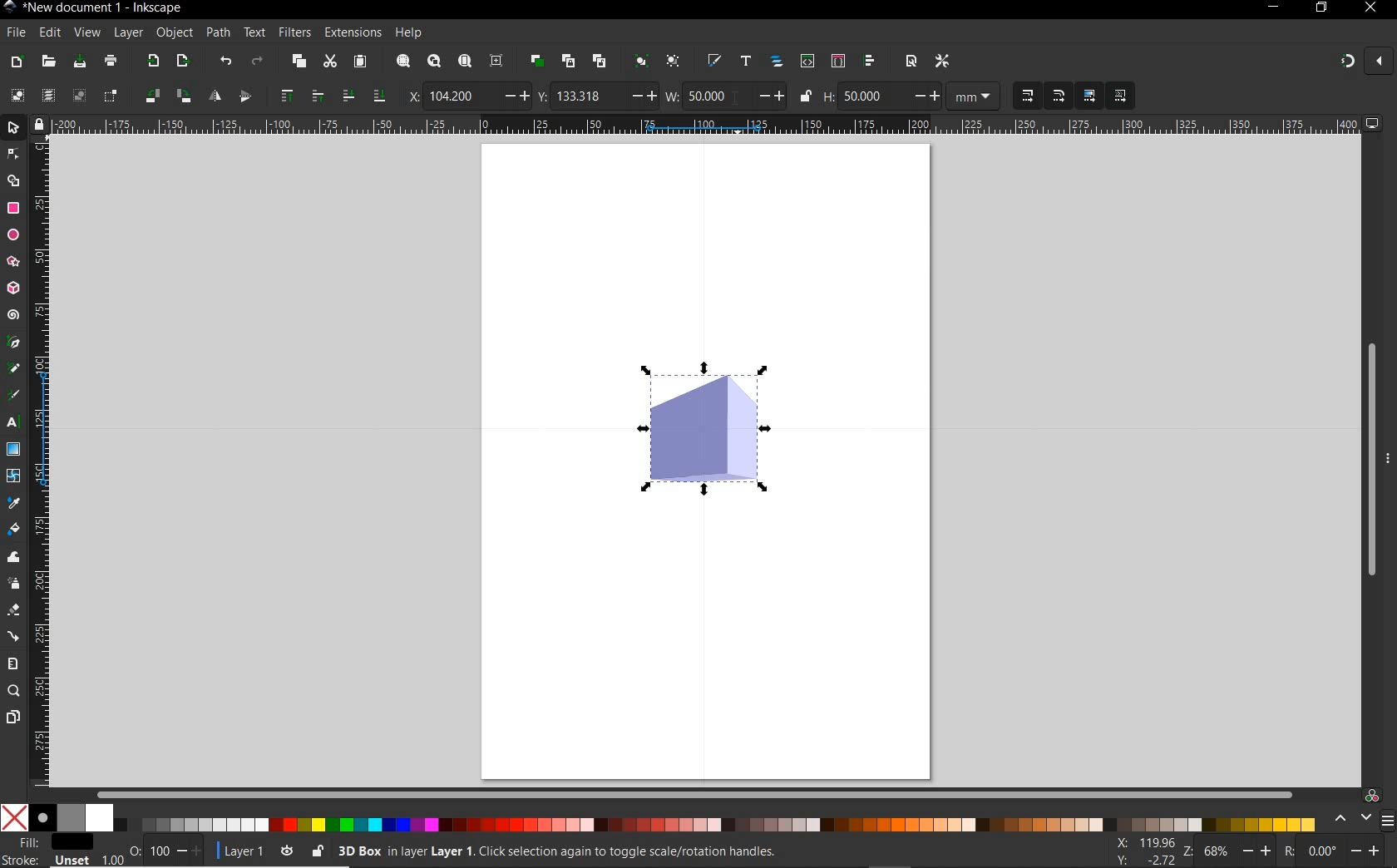 The image size is (1397, 868). Describe the element at coordinates (1321, 8) in the screenshot. I see `restore down` at that location.